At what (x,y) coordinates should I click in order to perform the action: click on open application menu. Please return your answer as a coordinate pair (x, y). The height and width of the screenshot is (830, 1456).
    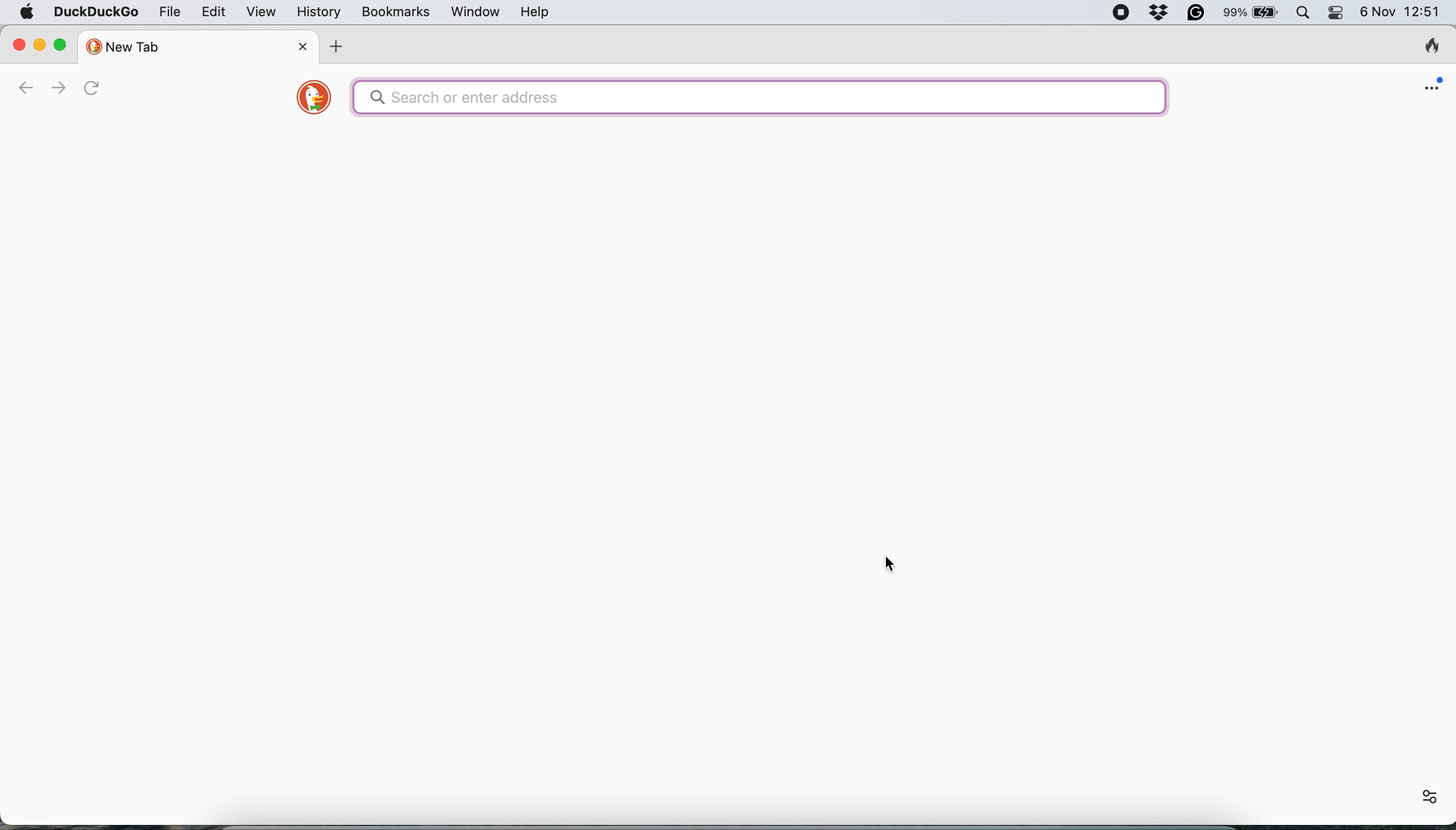
    Looking at the image, I should click on (1431, 84).